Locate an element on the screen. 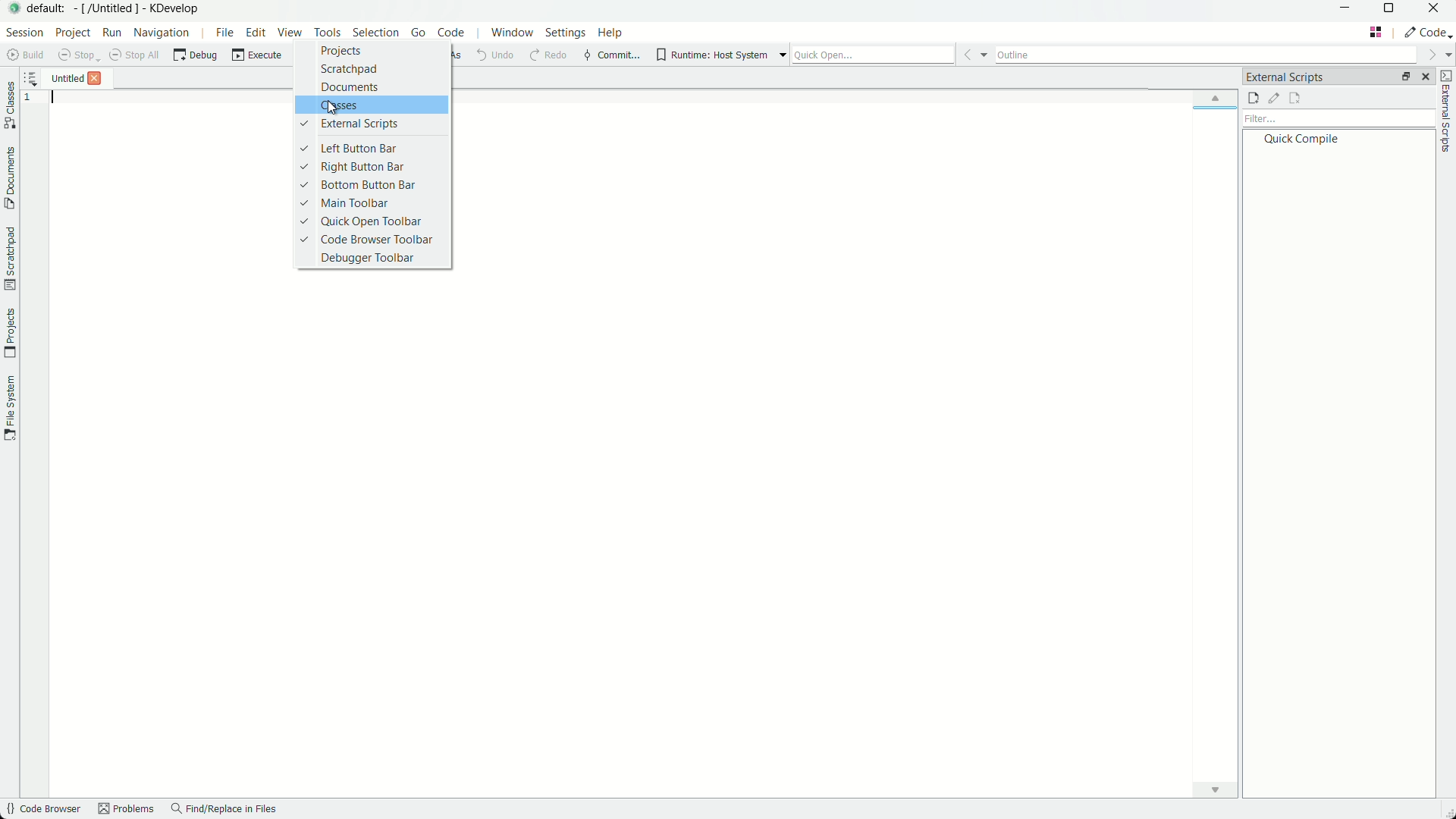 This screenshot has width=1456, height=819. filter is located at coordinates (1337, 120).